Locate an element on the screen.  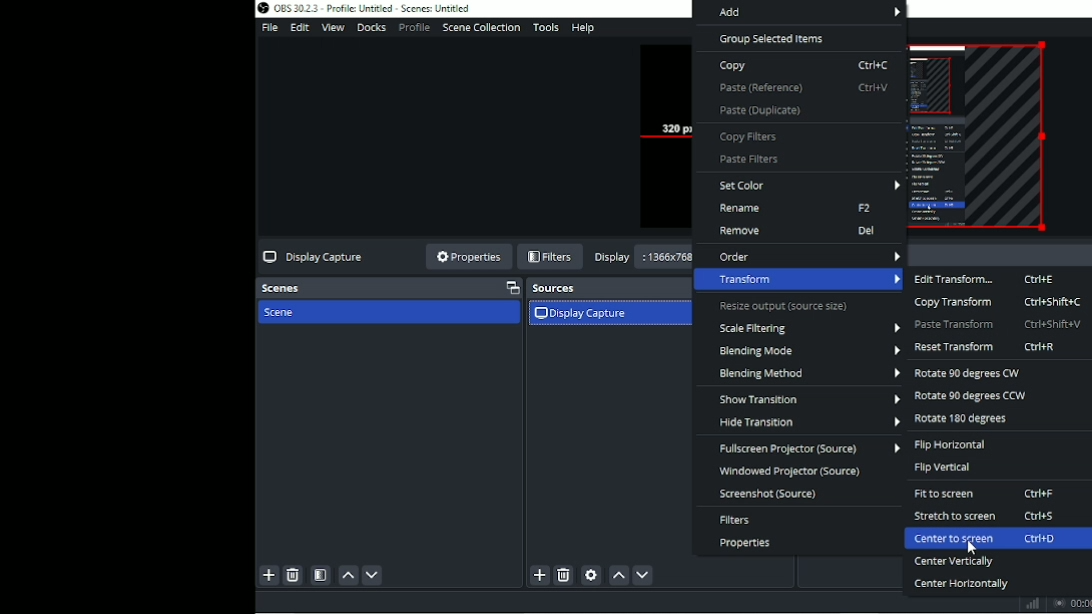
Add scene is located at coordinates (267, 576).